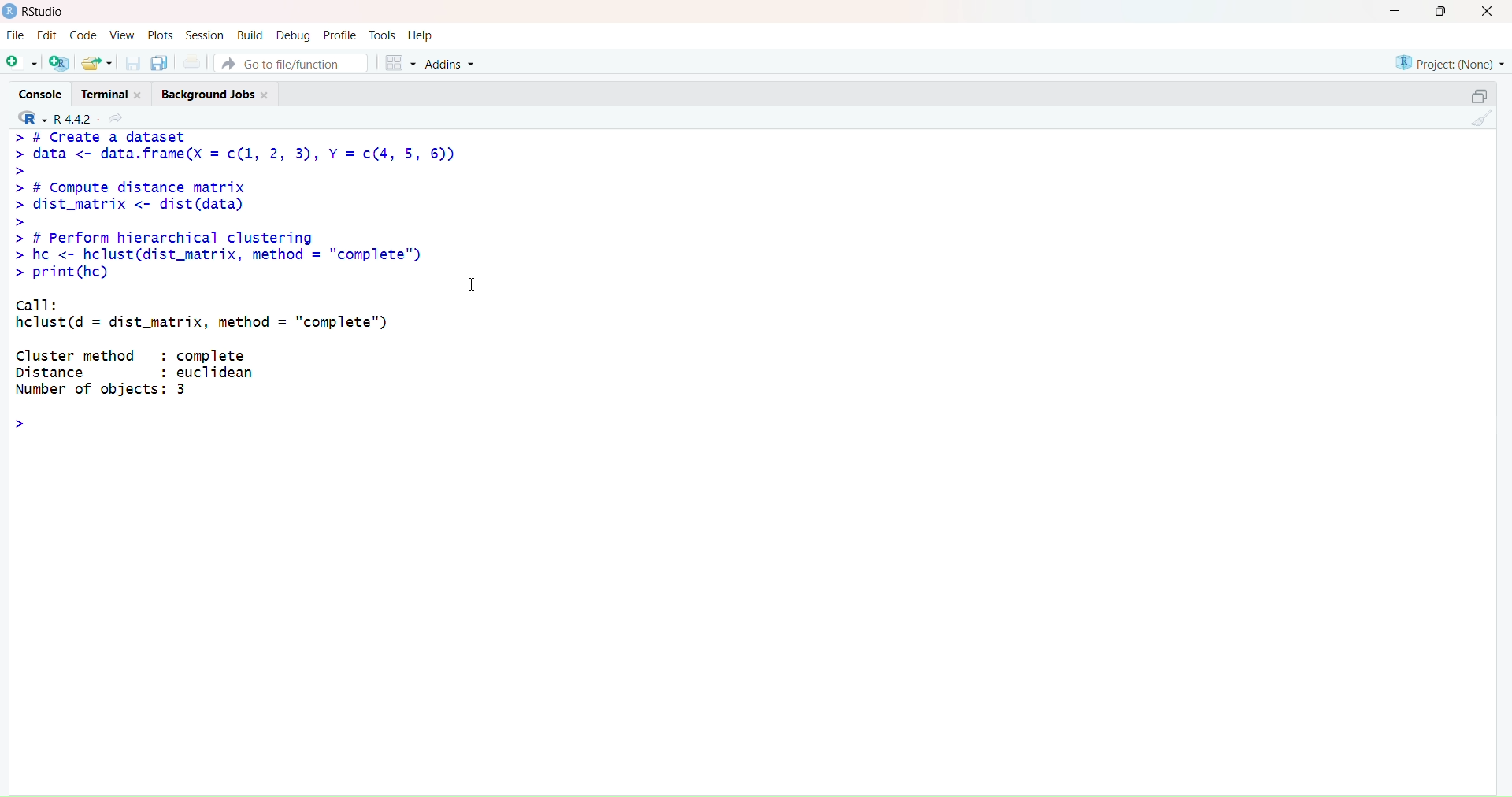  Describe the element at coordinates (26, 424) in the screenshot. I see `Prompt cursor` at that location.